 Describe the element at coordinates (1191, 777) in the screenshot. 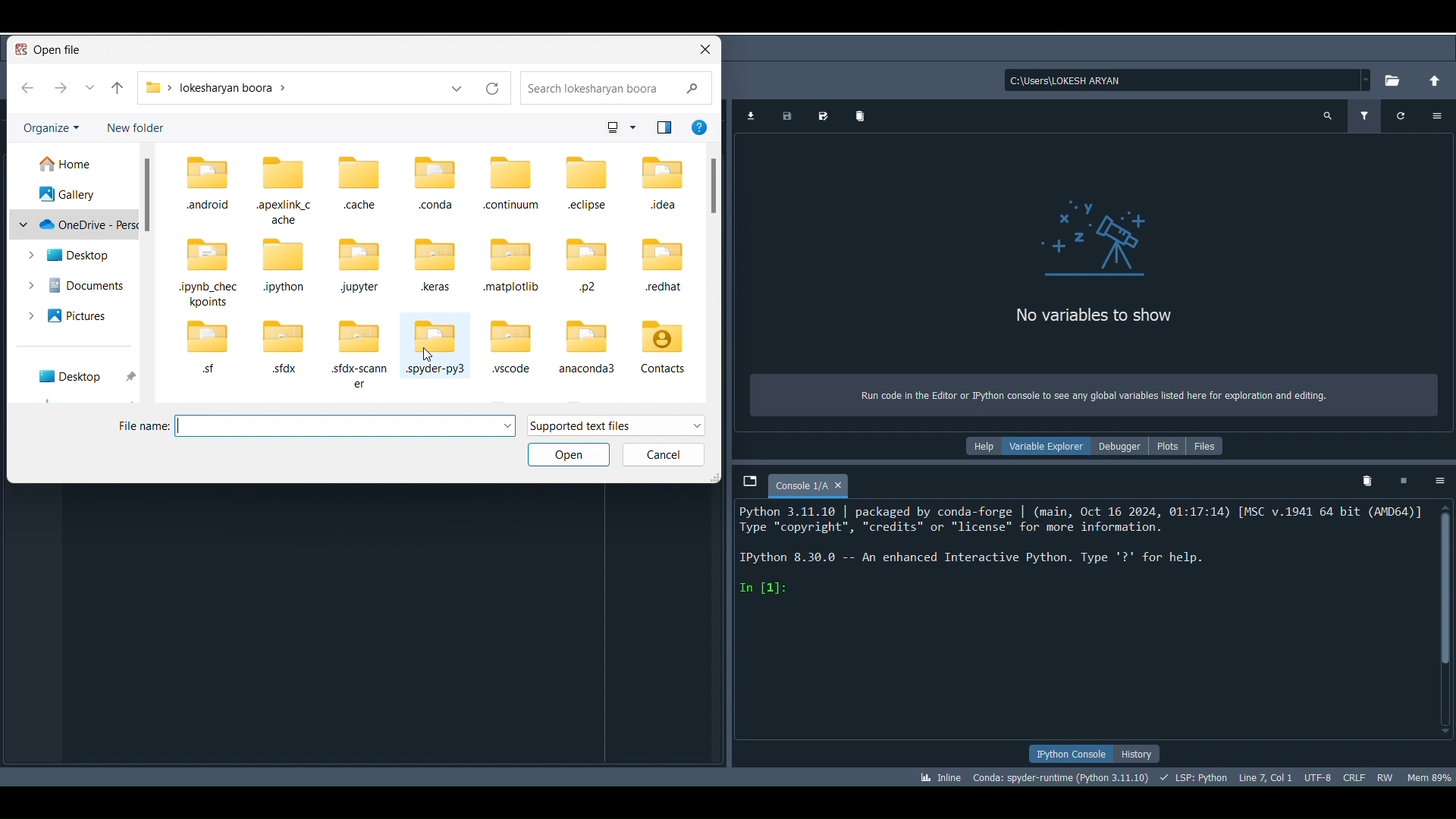

I see `Completions, linting, code folding and symbols status` at that location.